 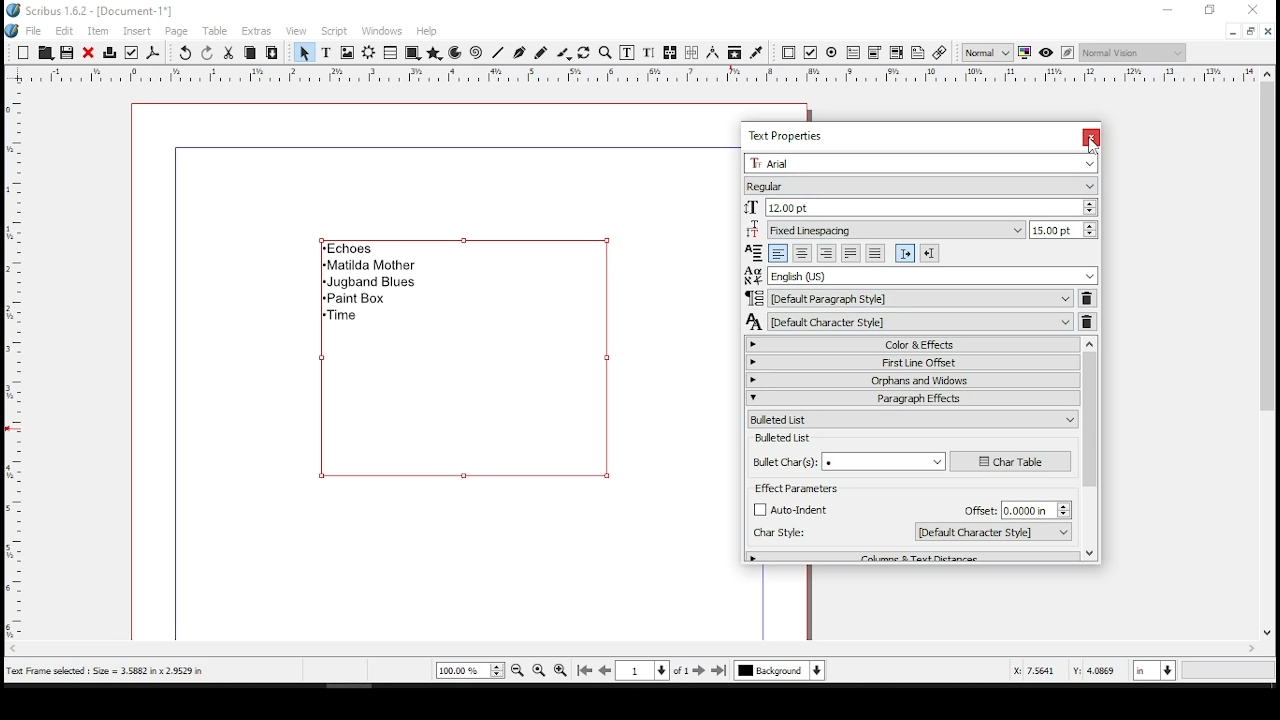 I want to click on close window, so click(x=1256, y=9).